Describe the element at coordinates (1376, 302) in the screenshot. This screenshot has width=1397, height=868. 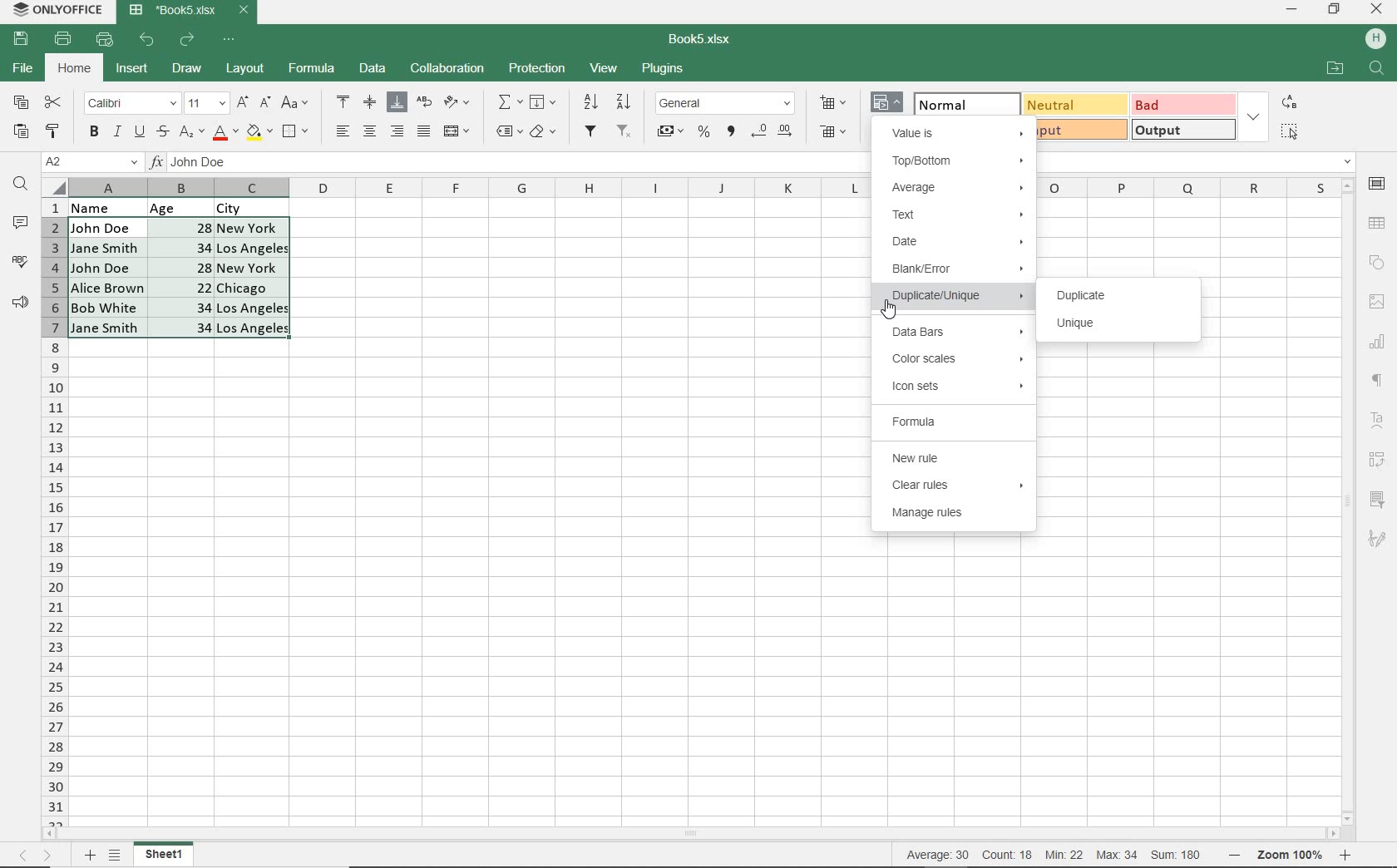
I see `IMAGE` at that location.